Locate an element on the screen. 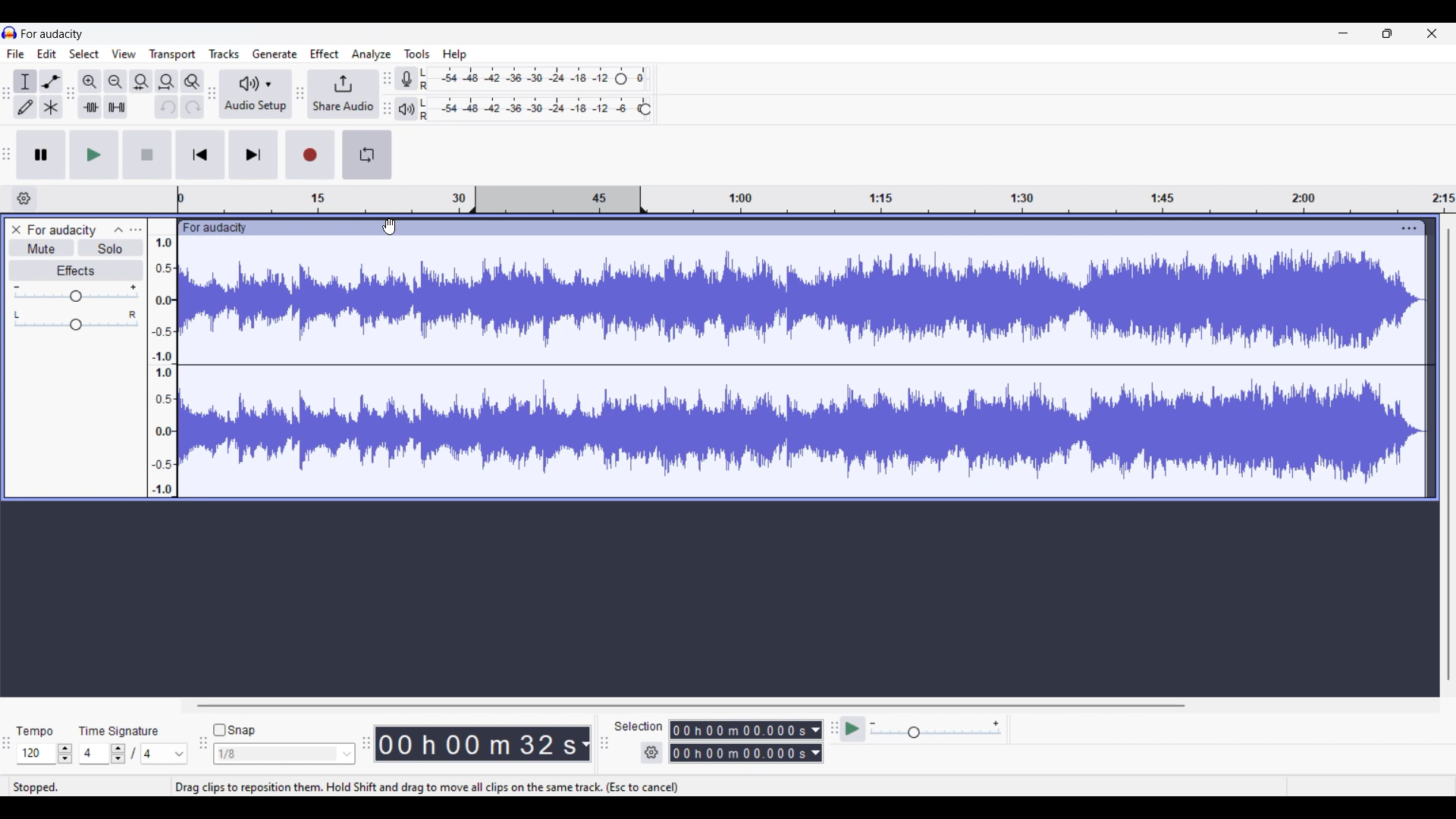 The image size is (1456, 819). Indicates selection duration settings is located at coordinates (639, 726).